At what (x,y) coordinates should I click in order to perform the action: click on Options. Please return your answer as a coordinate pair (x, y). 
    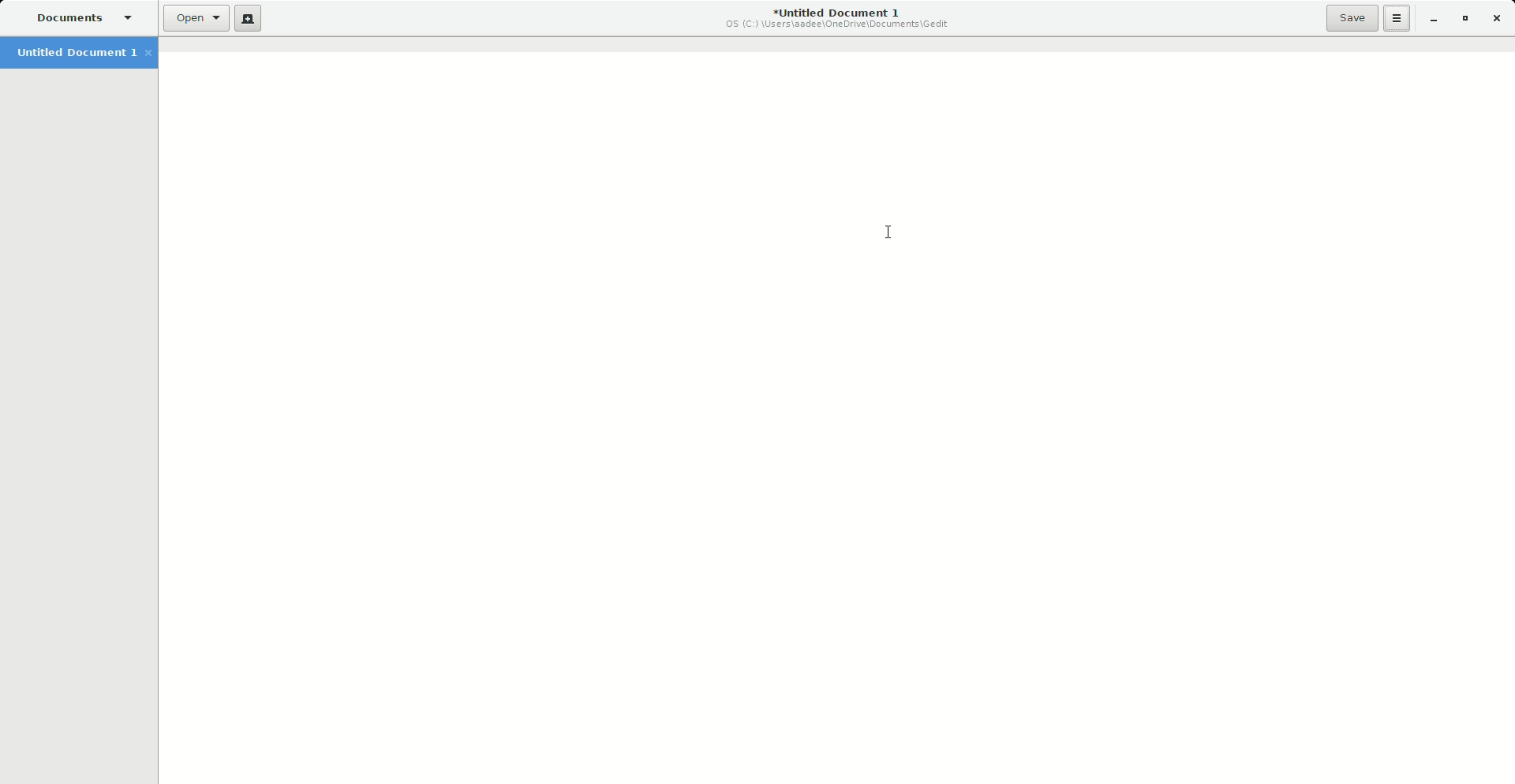
    Looking at the image, I should click on (1393, 19).